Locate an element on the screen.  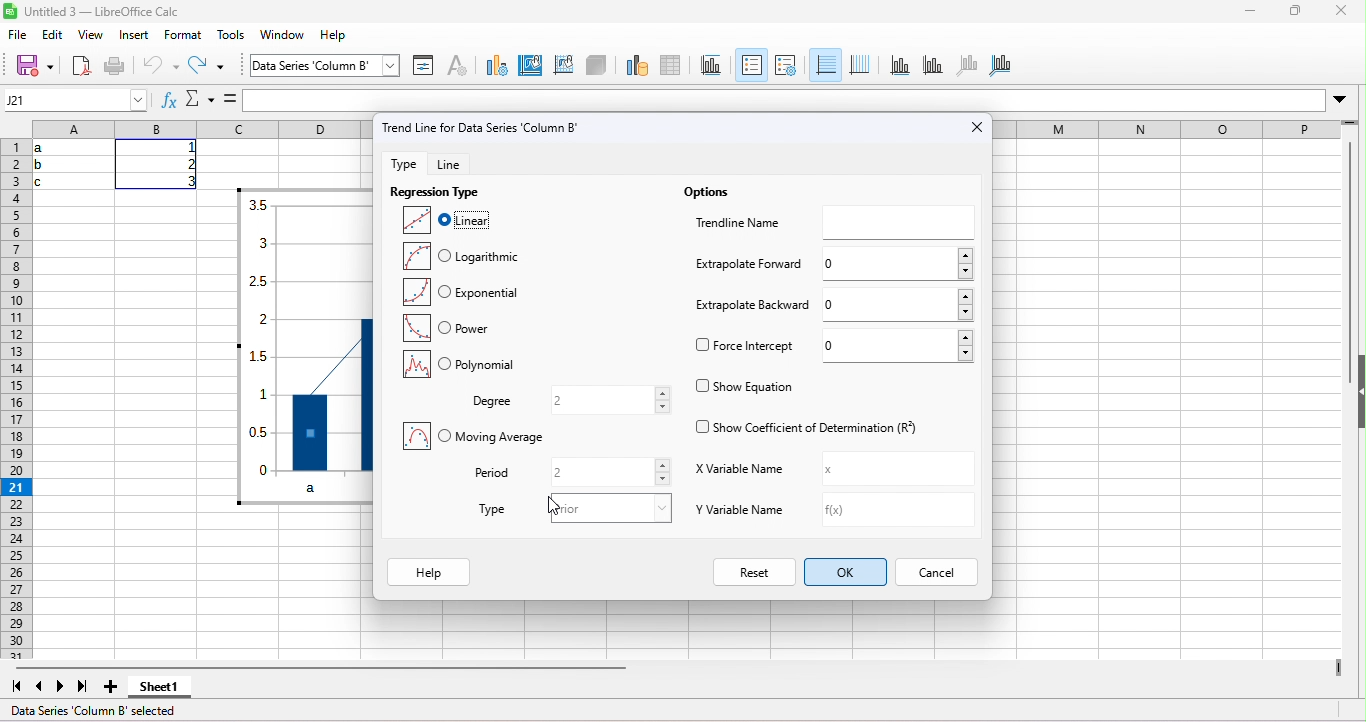
data ranges is located at coordinates (634, 64).